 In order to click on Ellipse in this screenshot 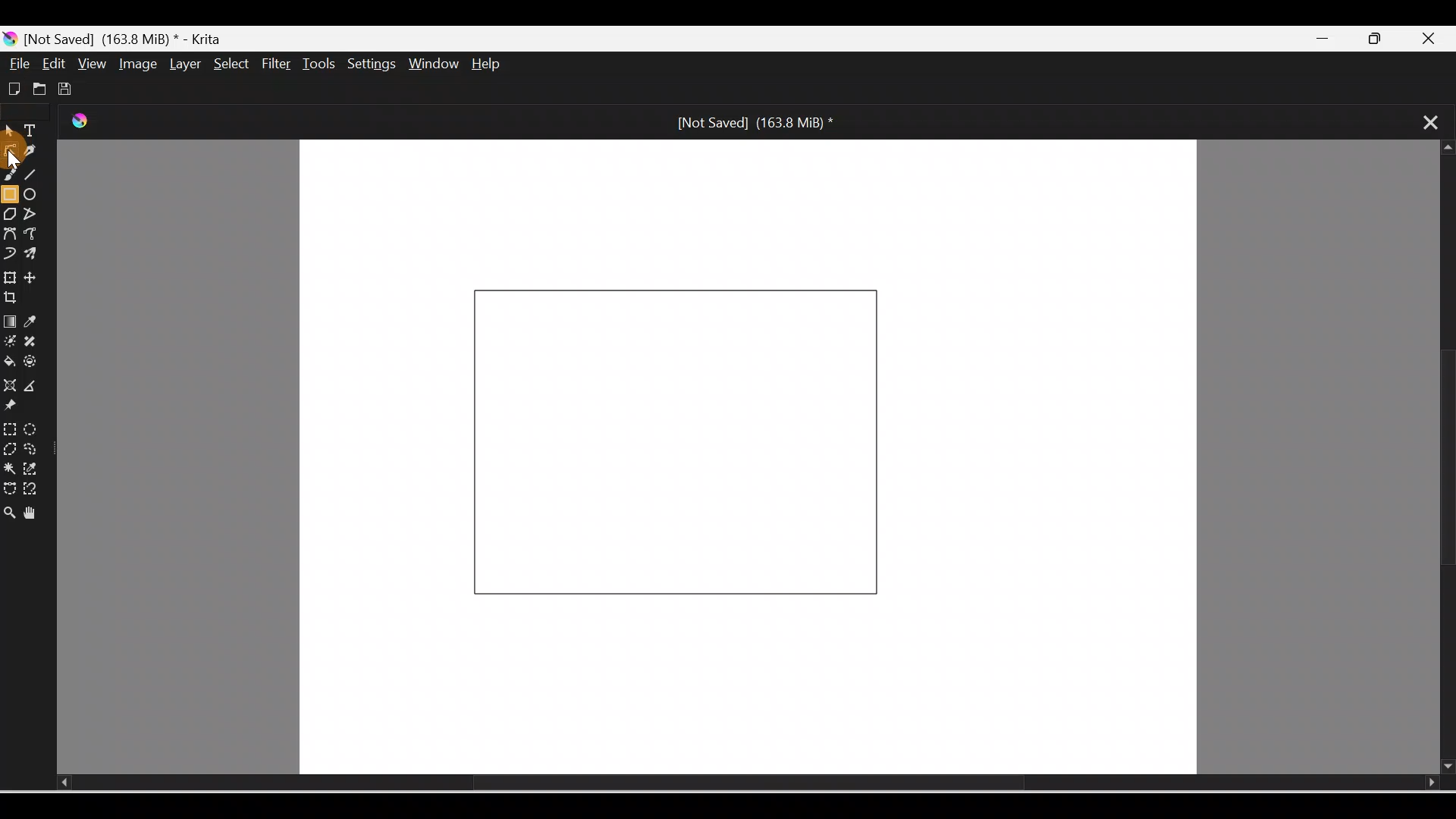, I will do `click(35, 196)`.